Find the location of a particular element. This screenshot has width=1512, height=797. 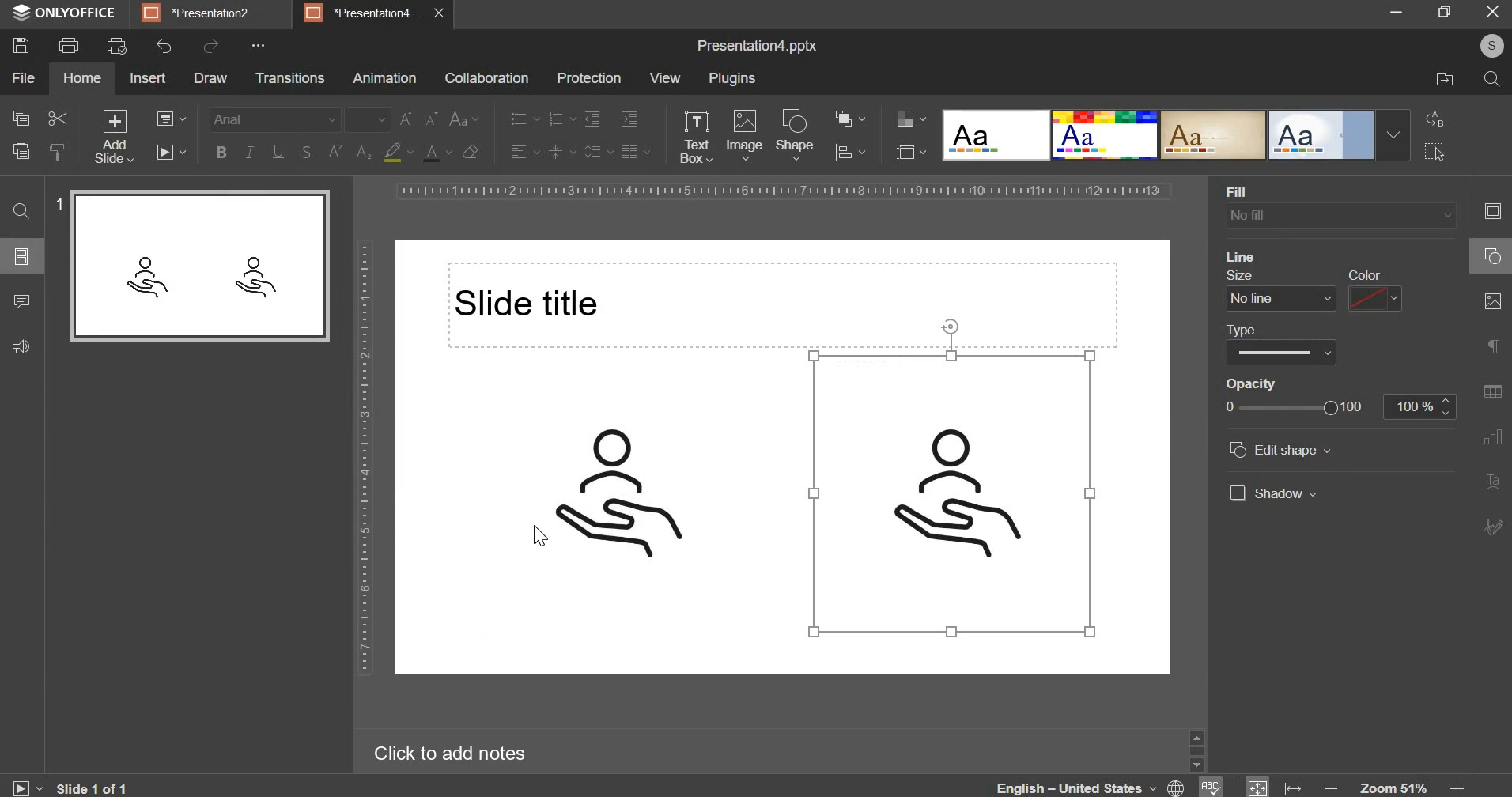

file is located at coordinates (22, 78).